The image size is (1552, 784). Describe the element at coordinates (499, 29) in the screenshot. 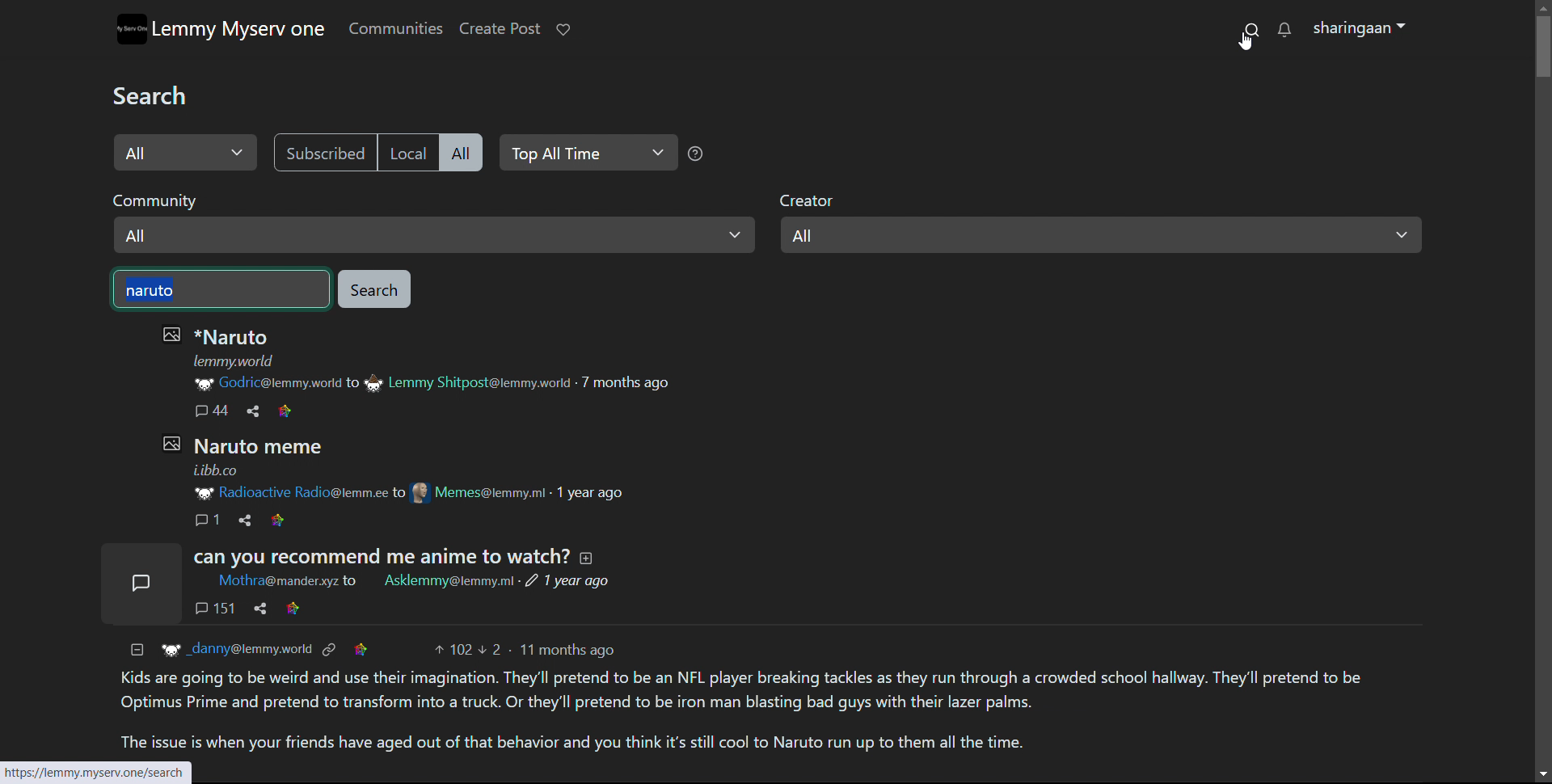

I see `create post` at that location.